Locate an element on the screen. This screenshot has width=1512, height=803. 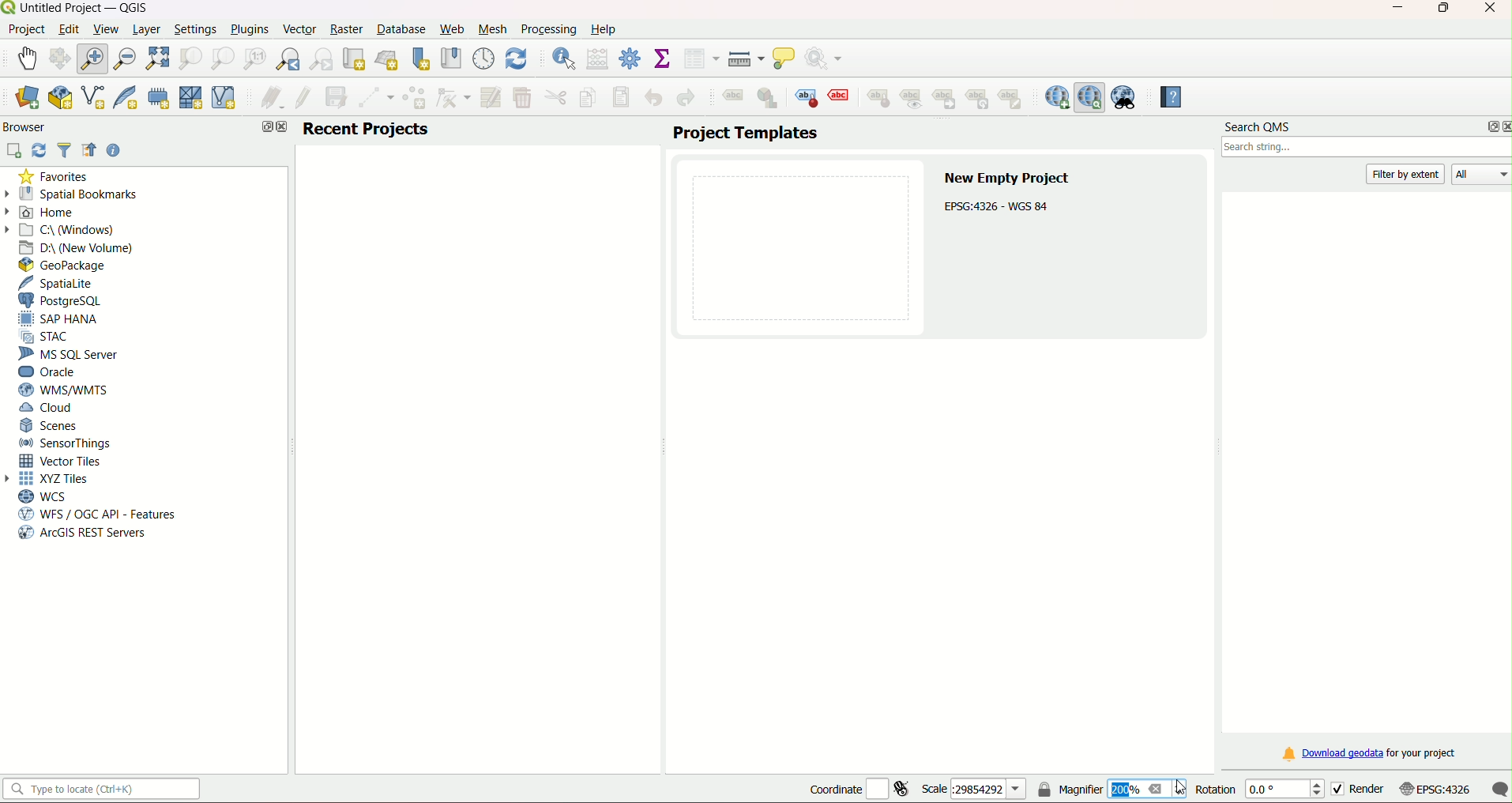
Vector Tiles is located at coordinates (65, 461).